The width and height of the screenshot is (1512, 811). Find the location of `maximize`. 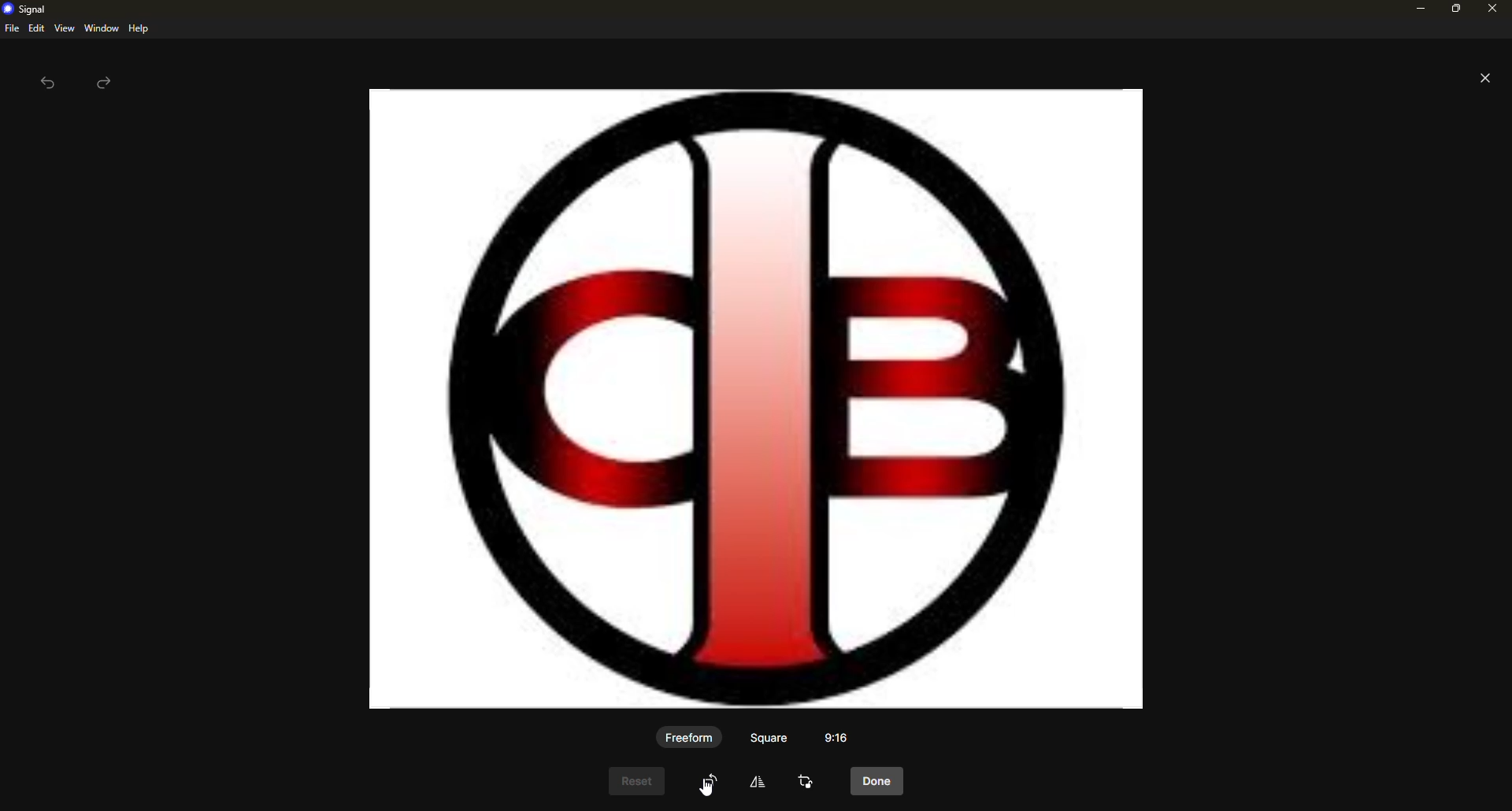

maximize is located at coordinates (1452, 8).